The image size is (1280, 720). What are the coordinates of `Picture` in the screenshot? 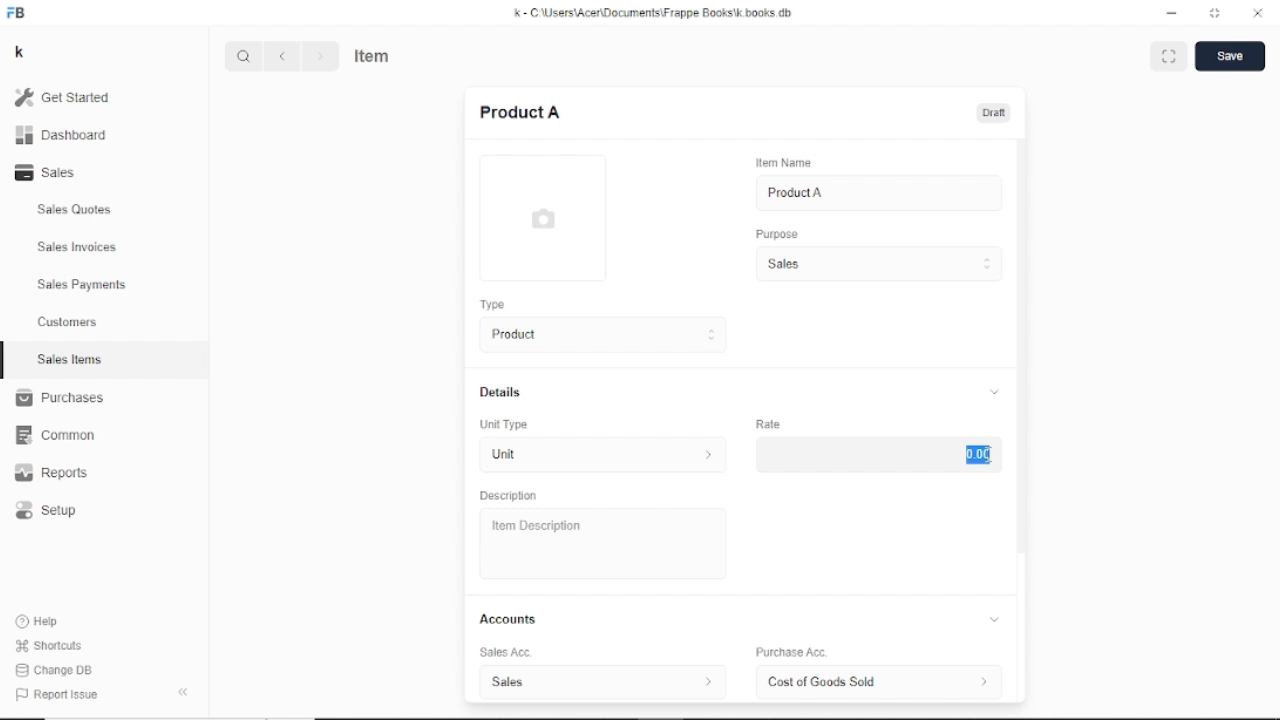 It's located at (542, 218).